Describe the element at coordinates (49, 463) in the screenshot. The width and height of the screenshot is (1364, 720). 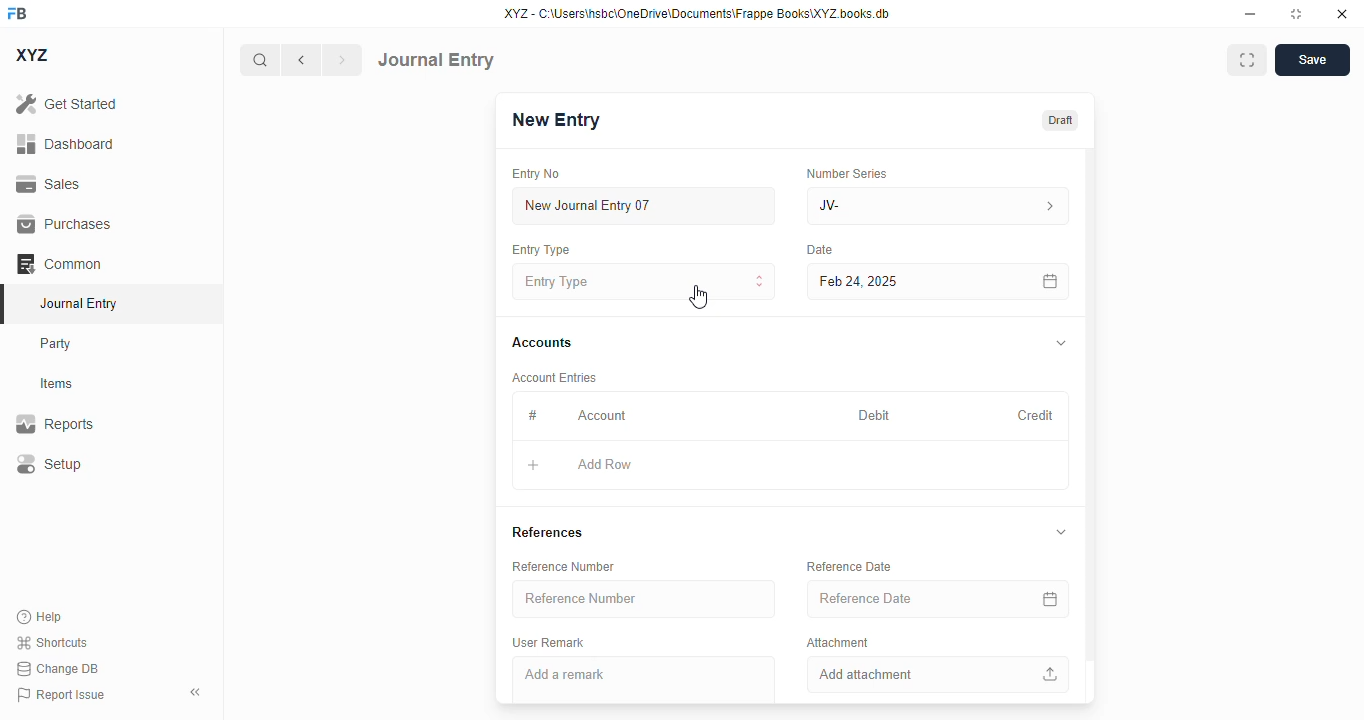
I see `setup` at that location.